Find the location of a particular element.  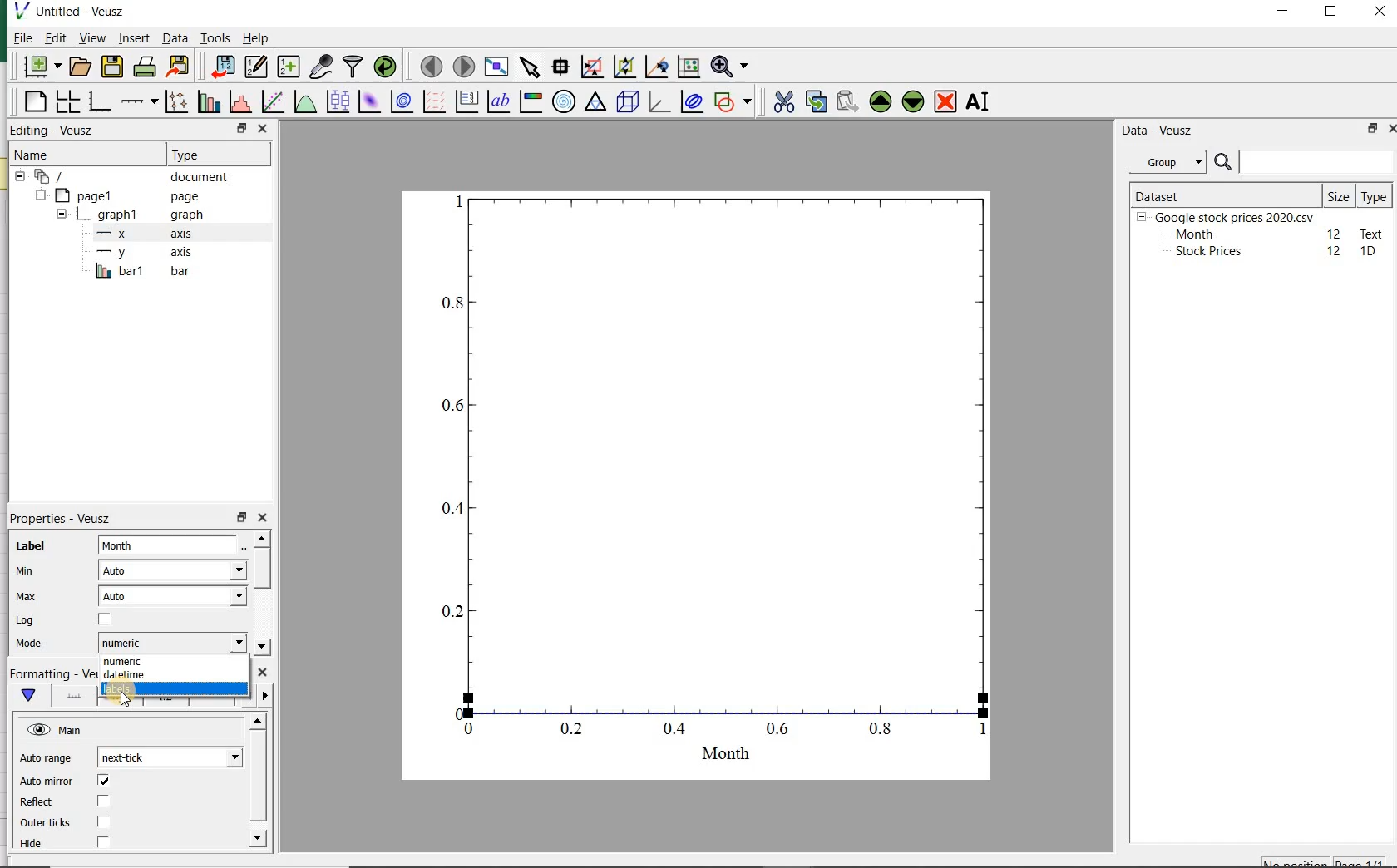

plot box plots is located at coordinates (335, 103).